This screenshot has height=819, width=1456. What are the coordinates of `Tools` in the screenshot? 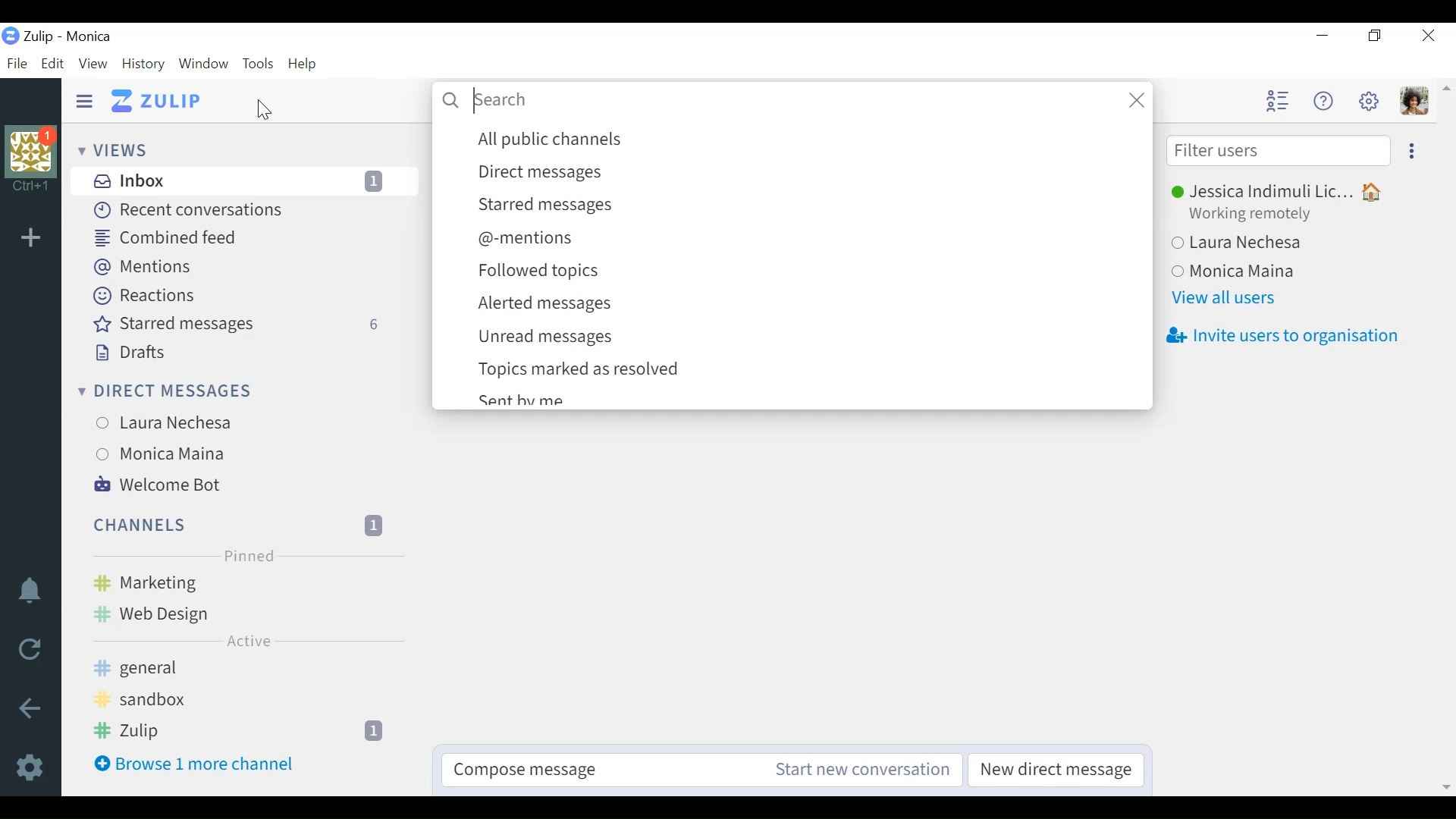 It's located at (260, 63).